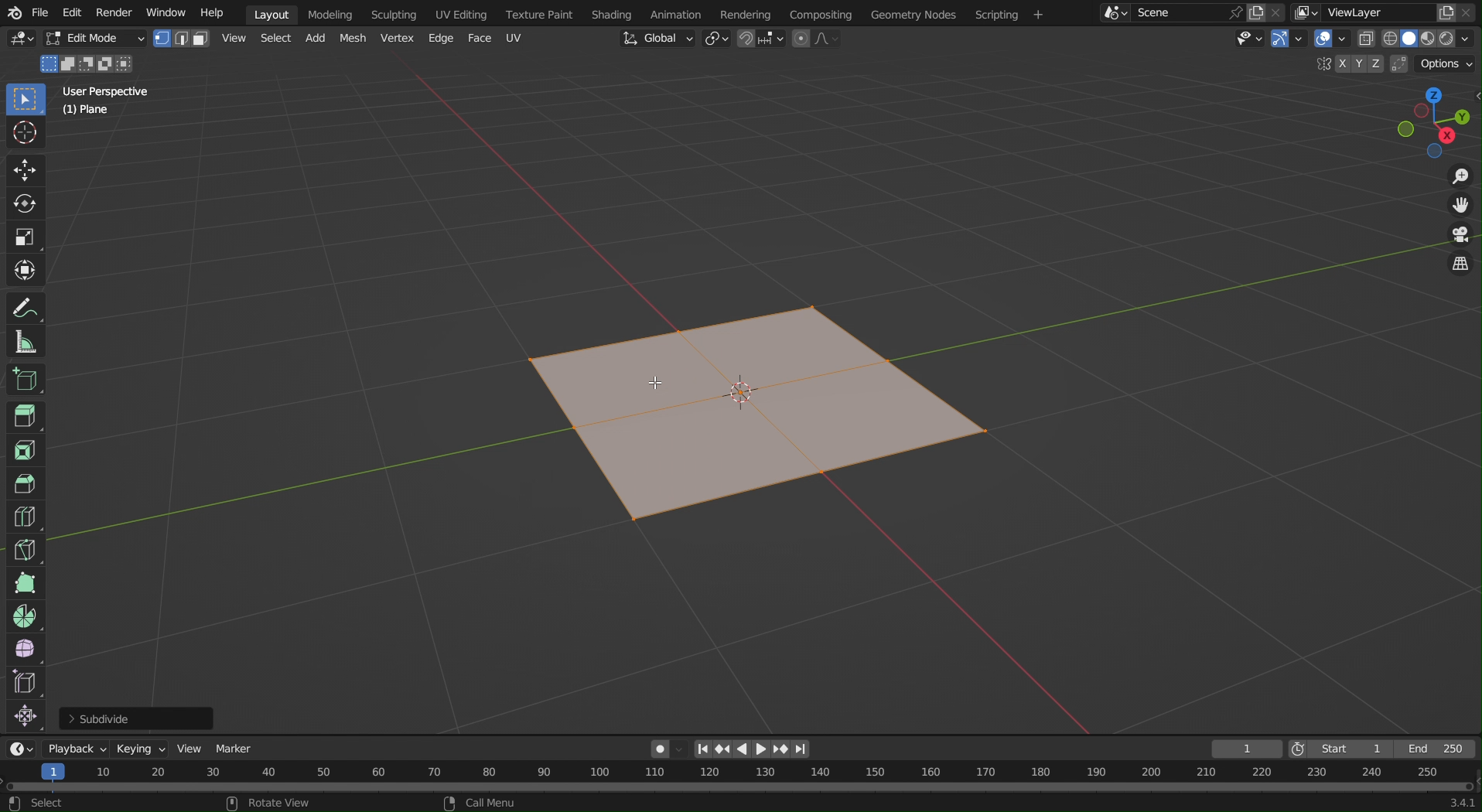 The image size is (1482, 812). Describe the element at coordinates (654, 752) in the screenshot. I see `Auto Keying` at that location.